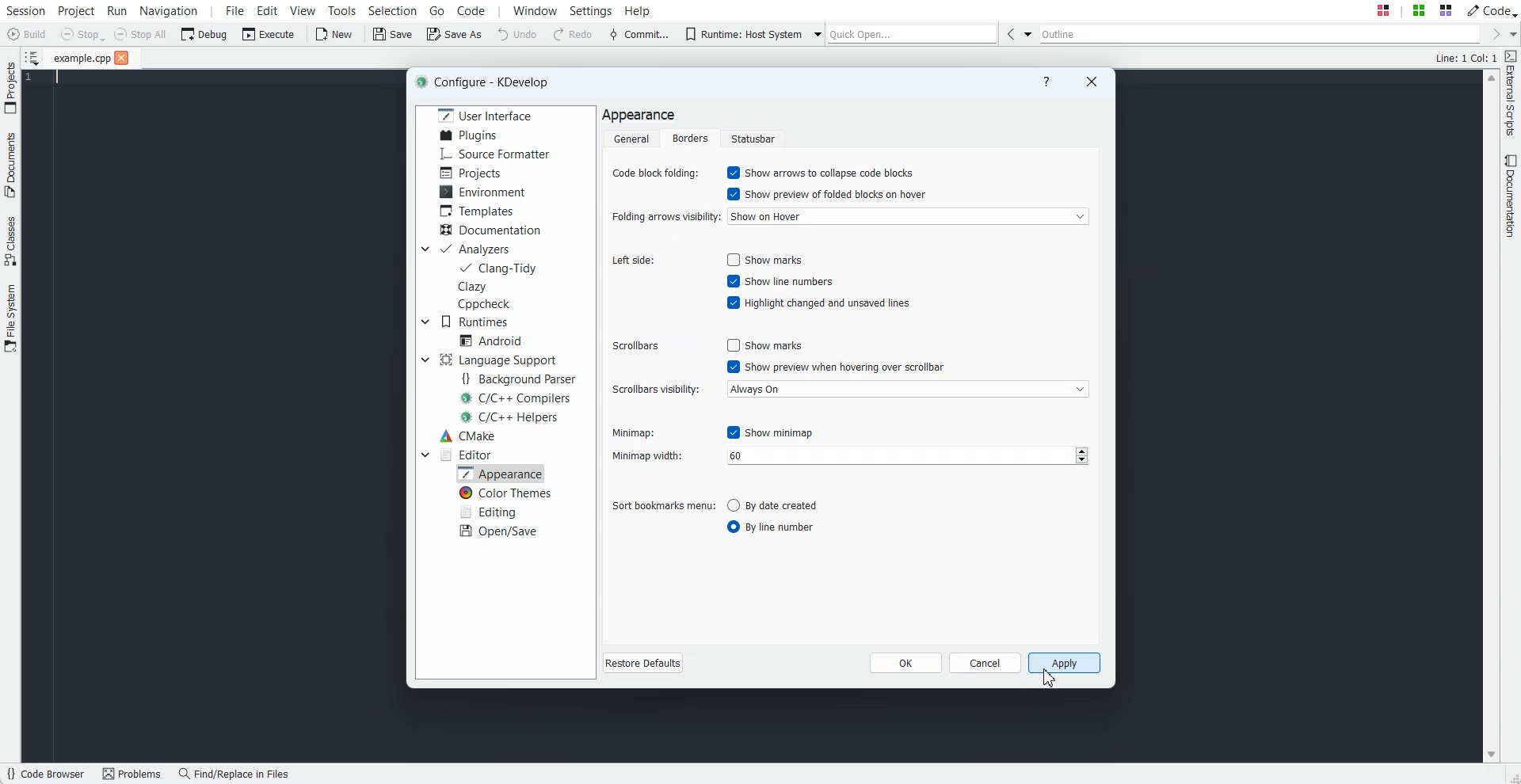 The width and height of the screenshot is (1521, 784). I want to click on Redo, so click(576, 34).